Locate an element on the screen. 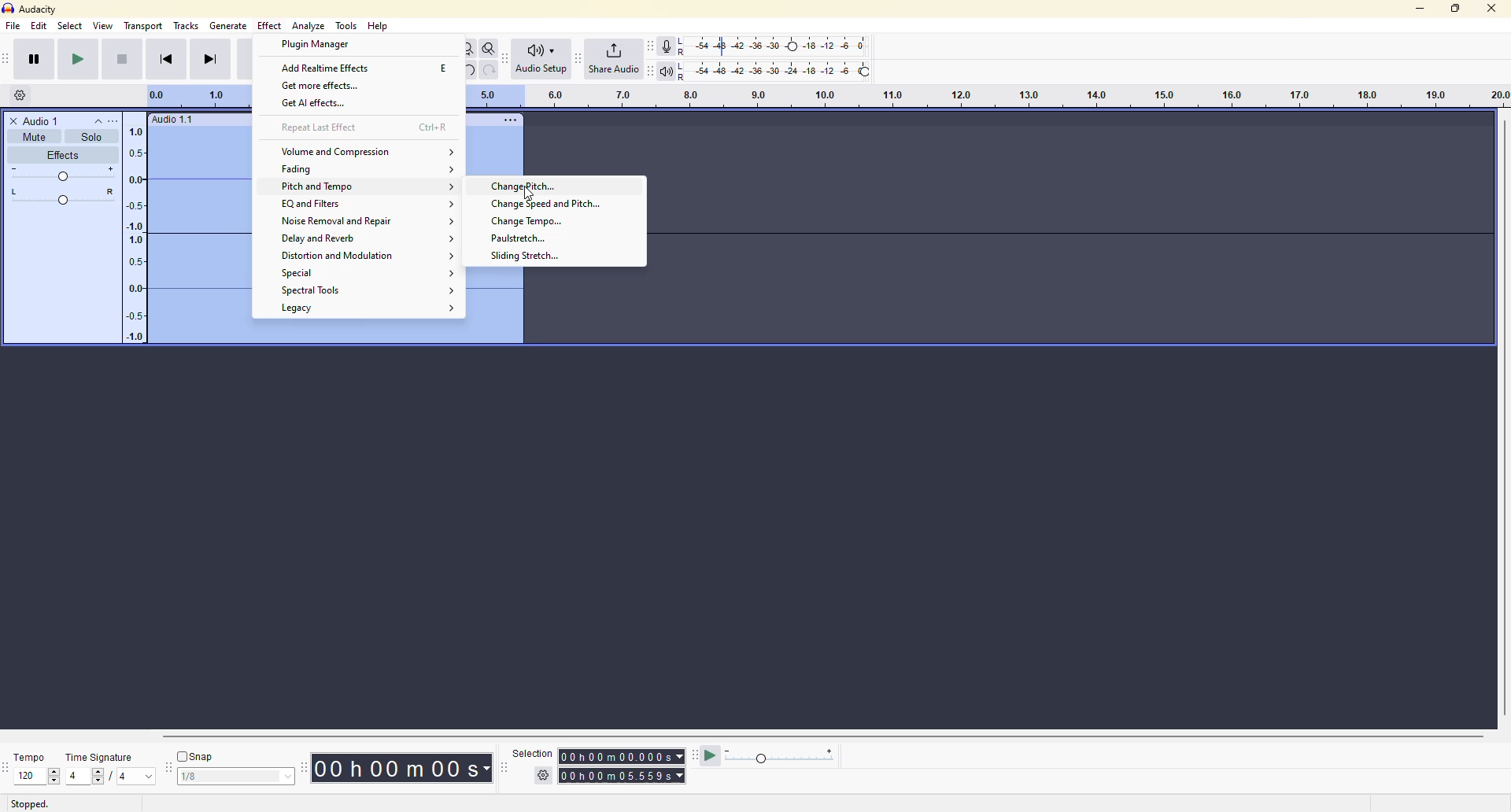  expand is located at coordinates (450, 274).